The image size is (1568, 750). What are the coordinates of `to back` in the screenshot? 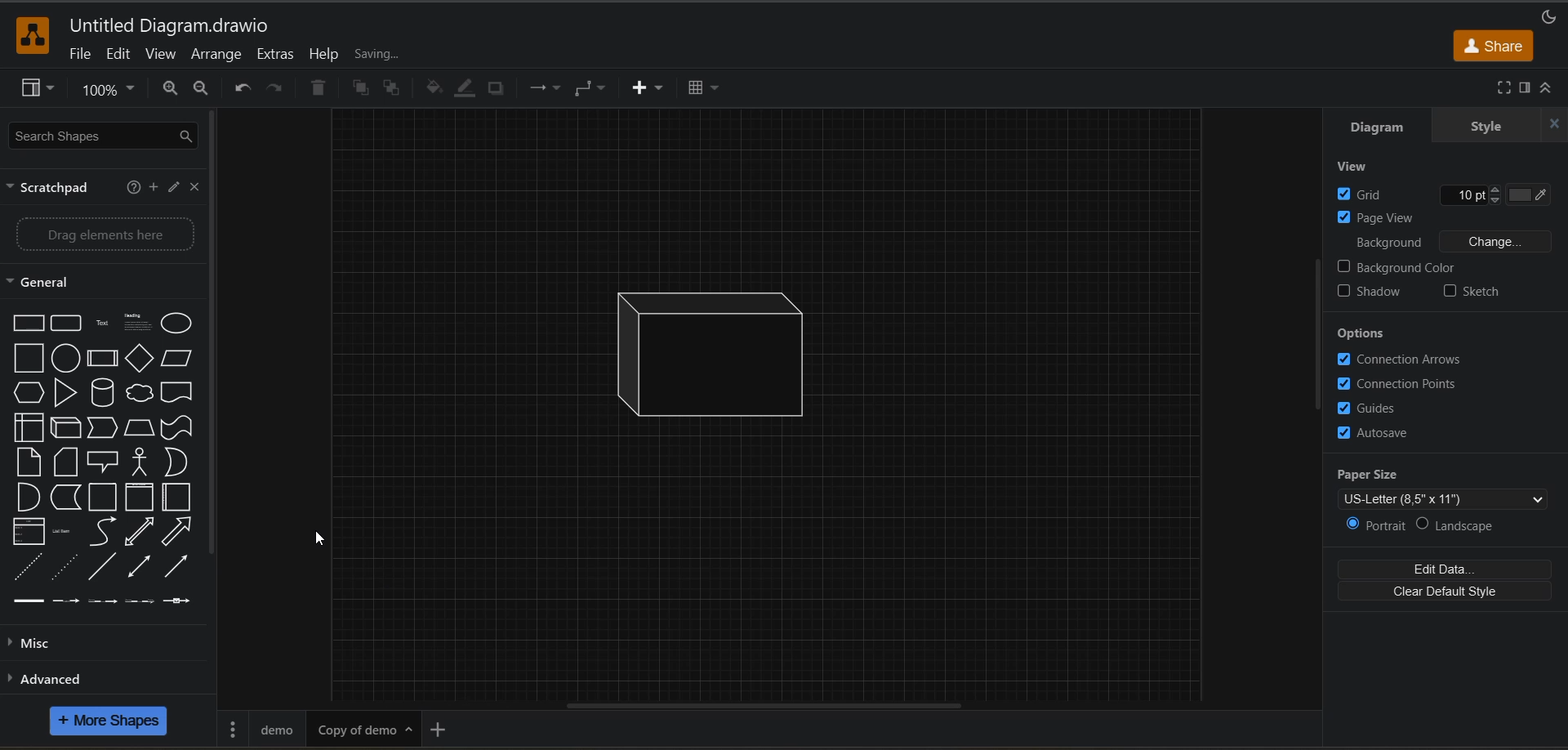 It's located at (391, 88).